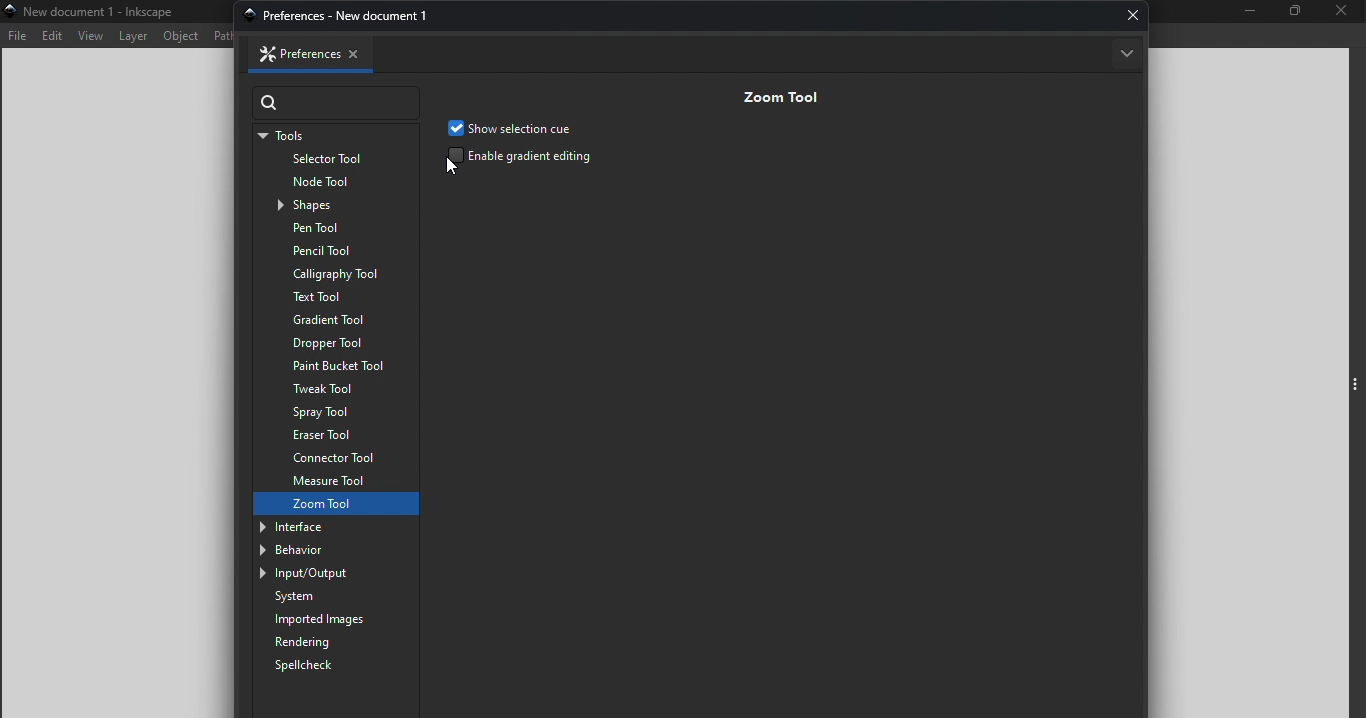 This screenshot has width=1366, height=718. What do you see at coordinates (336, 100) in the screenshot?
I see `Search bar` at bounding box center [336, 100].